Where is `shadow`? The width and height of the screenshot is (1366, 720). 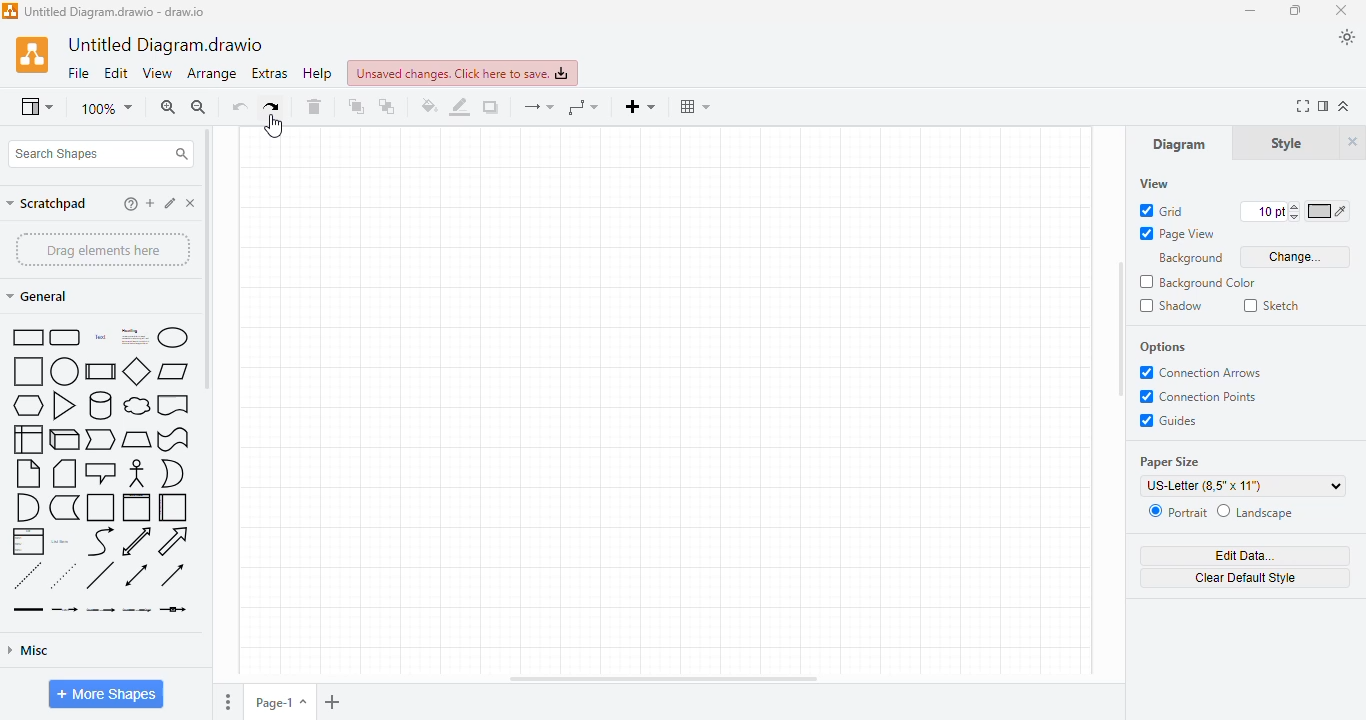 shadow is located at coordinates (491, 106).